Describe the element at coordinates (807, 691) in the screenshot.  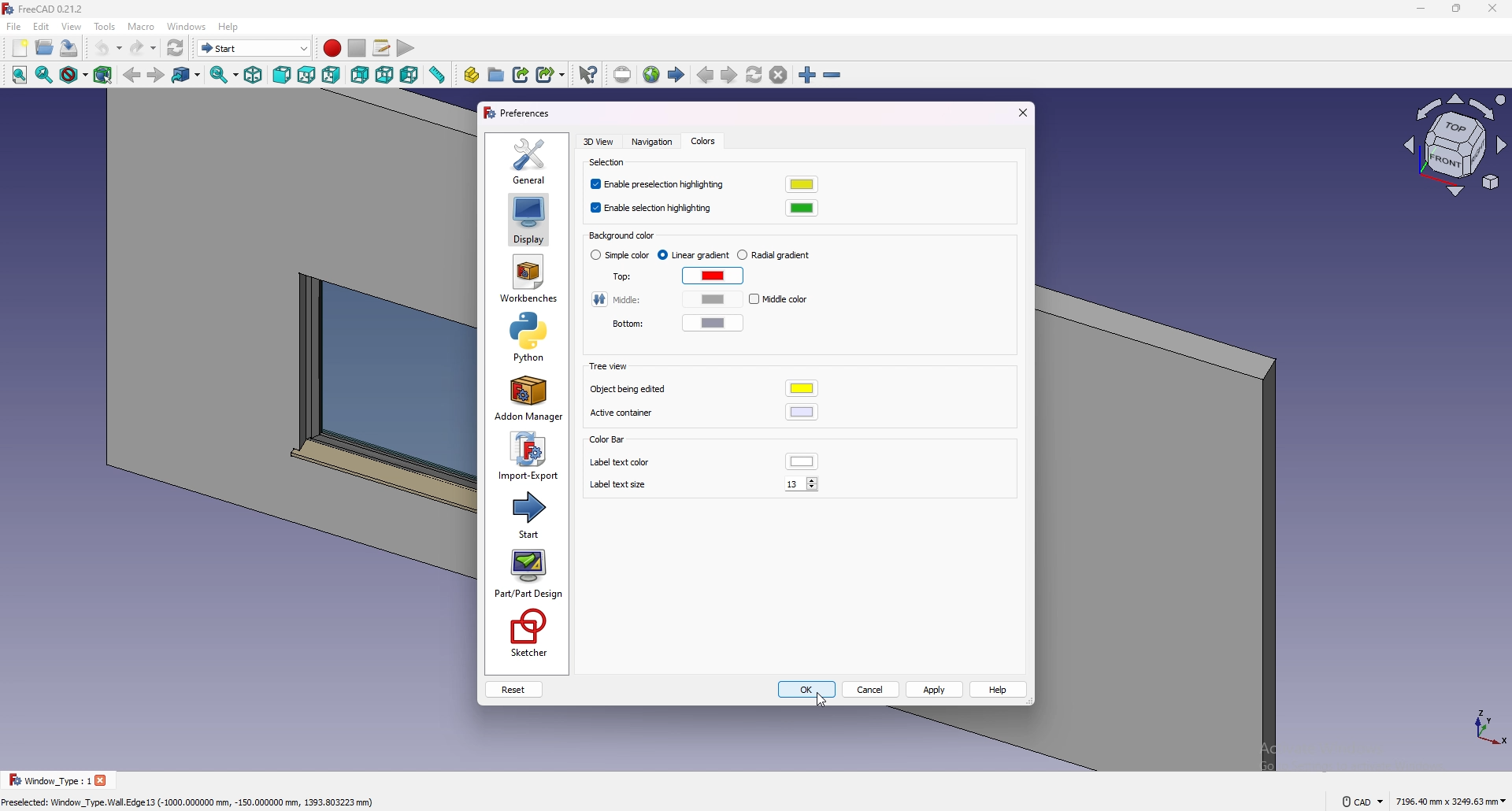
I see `ok` at that location.